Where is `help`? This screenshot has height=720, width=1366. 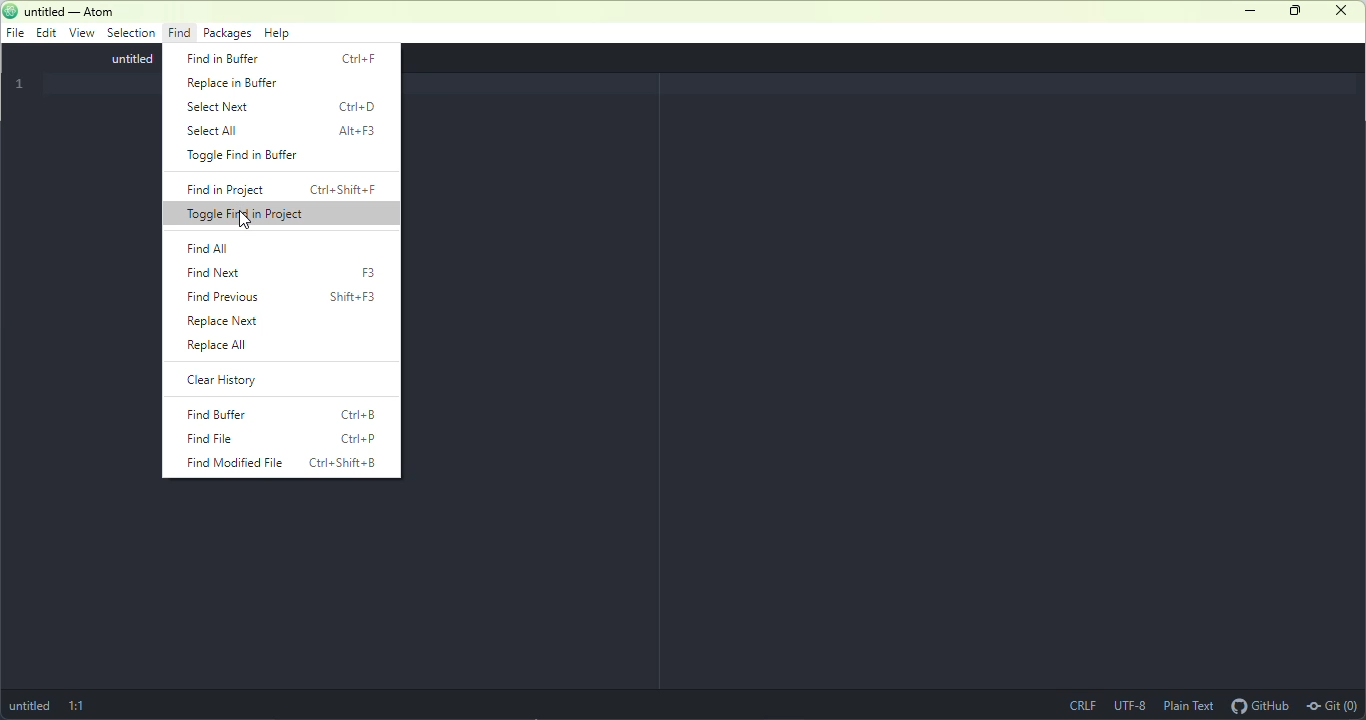 help is located at coordinates (279, 34).